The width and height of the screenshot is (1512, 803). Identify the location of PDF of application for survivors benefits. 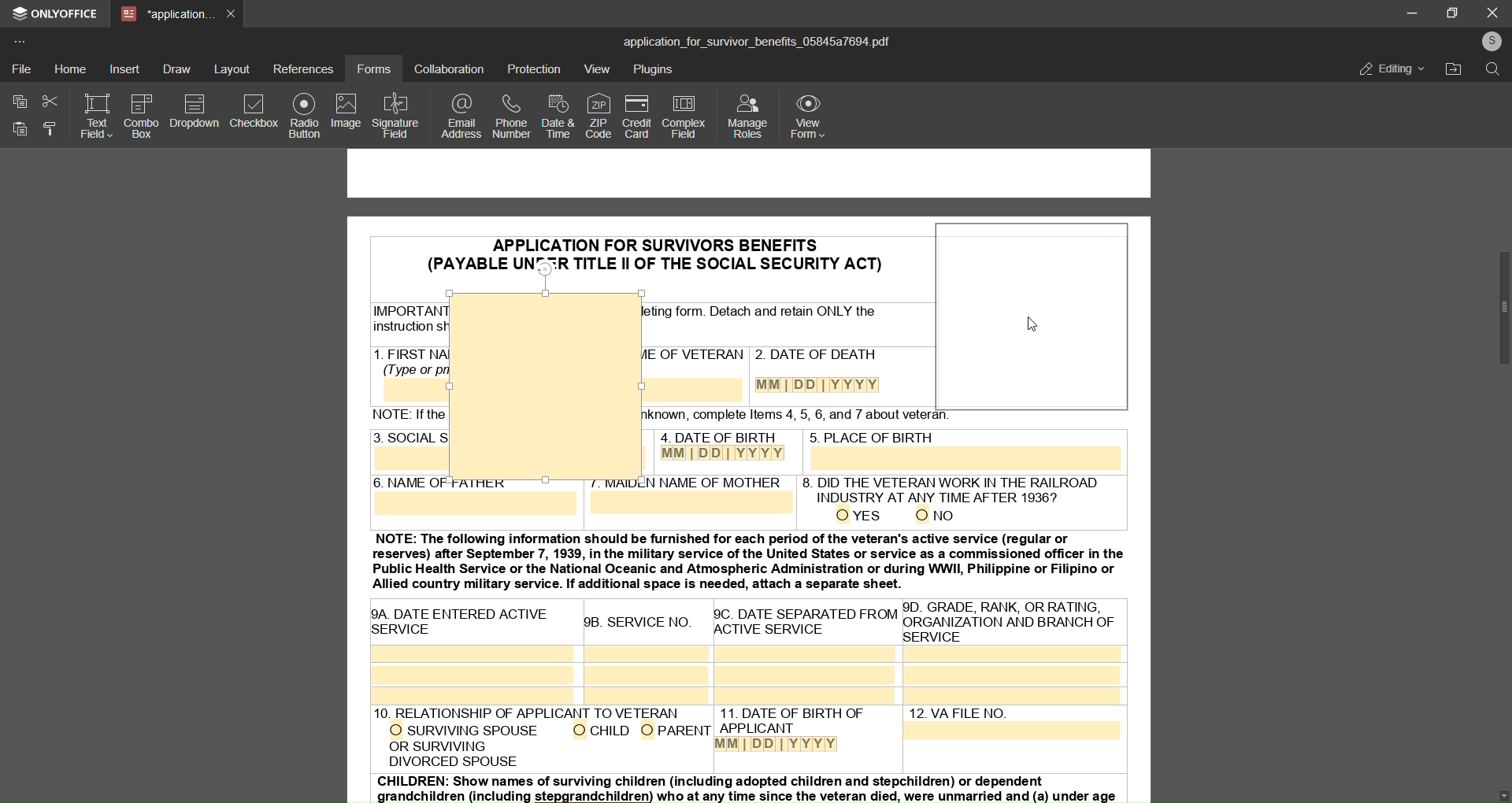
(536, 255).